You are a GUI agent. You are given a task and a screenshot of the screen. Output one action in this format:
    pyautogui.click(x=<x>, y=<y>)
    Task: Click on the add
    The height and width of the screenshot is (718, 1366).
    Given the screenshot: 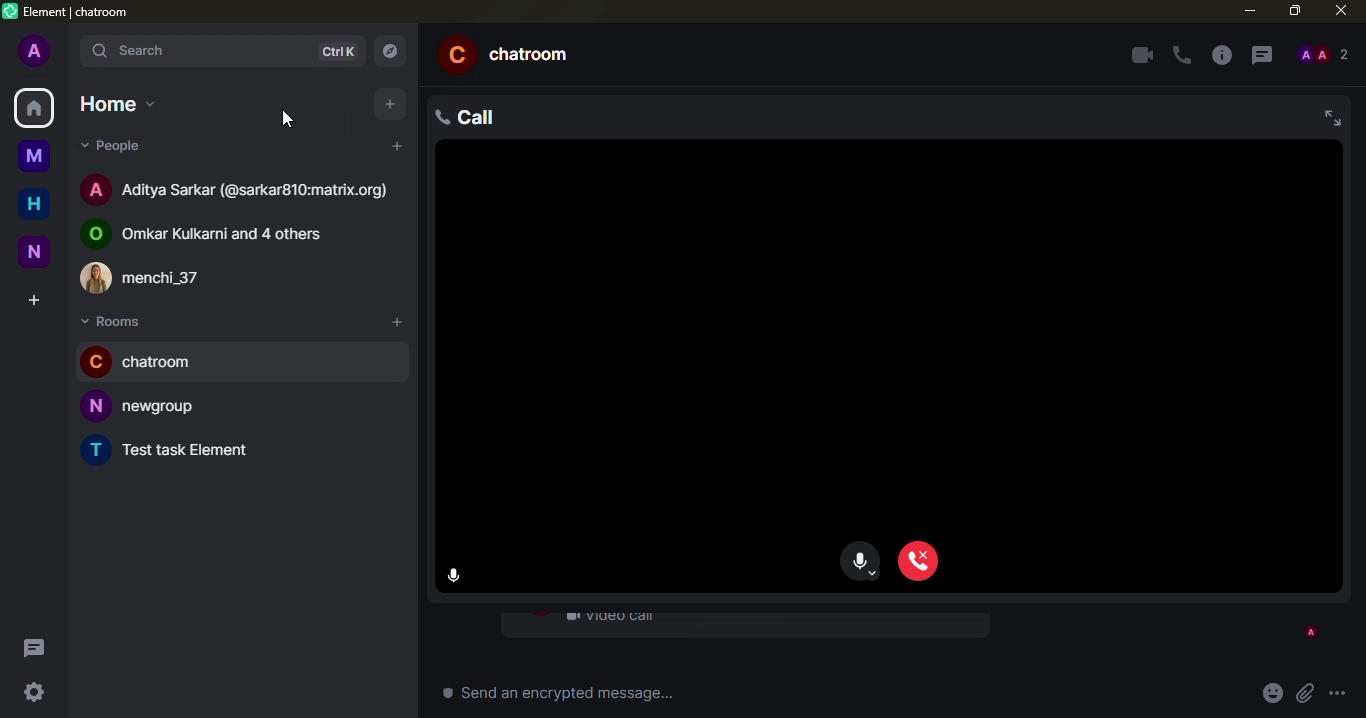 What is the action you would take?
    pyautogui.click(x=394, y=320)
    